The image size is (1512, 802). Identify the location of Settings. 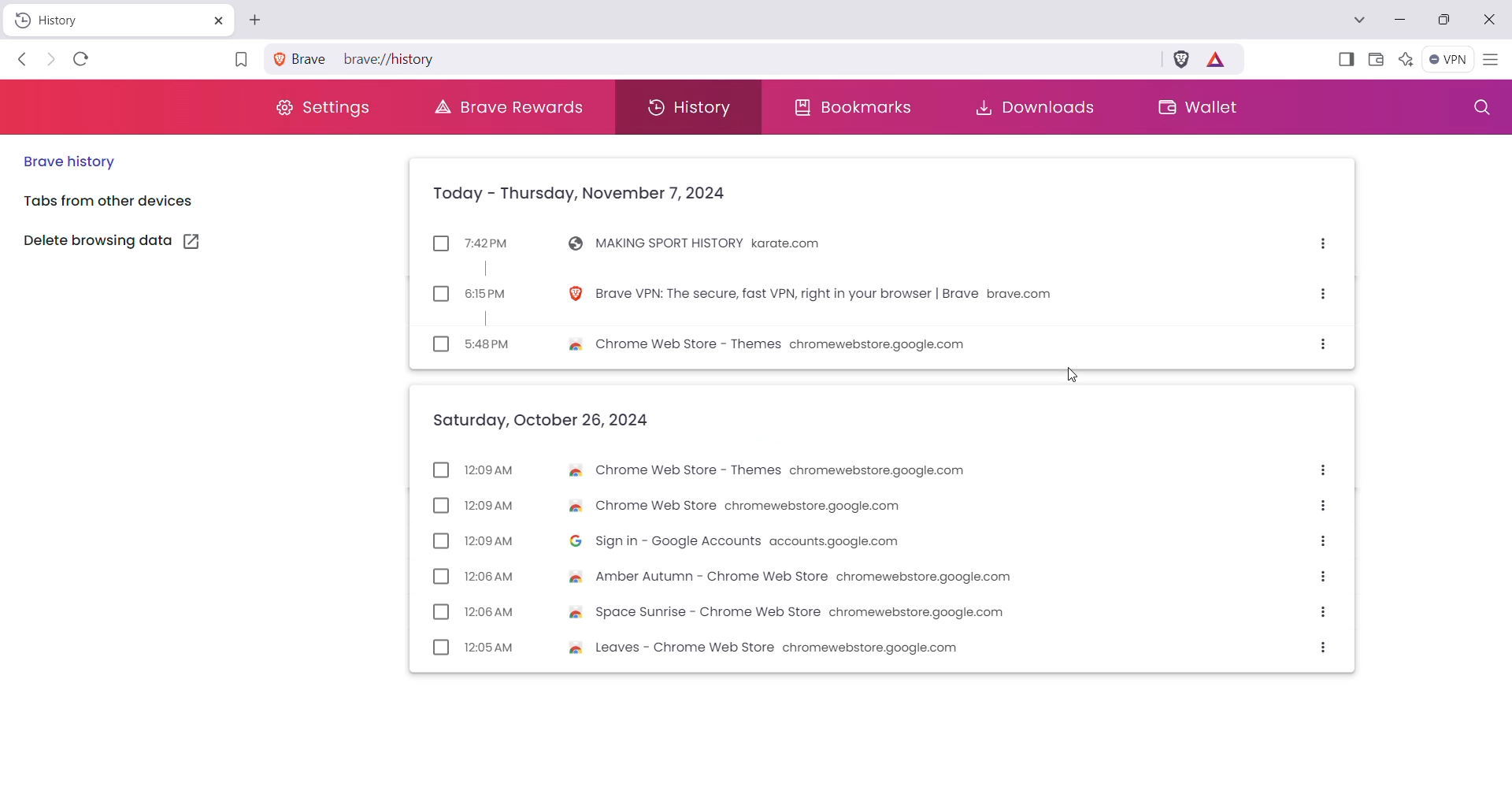
(321, 108).